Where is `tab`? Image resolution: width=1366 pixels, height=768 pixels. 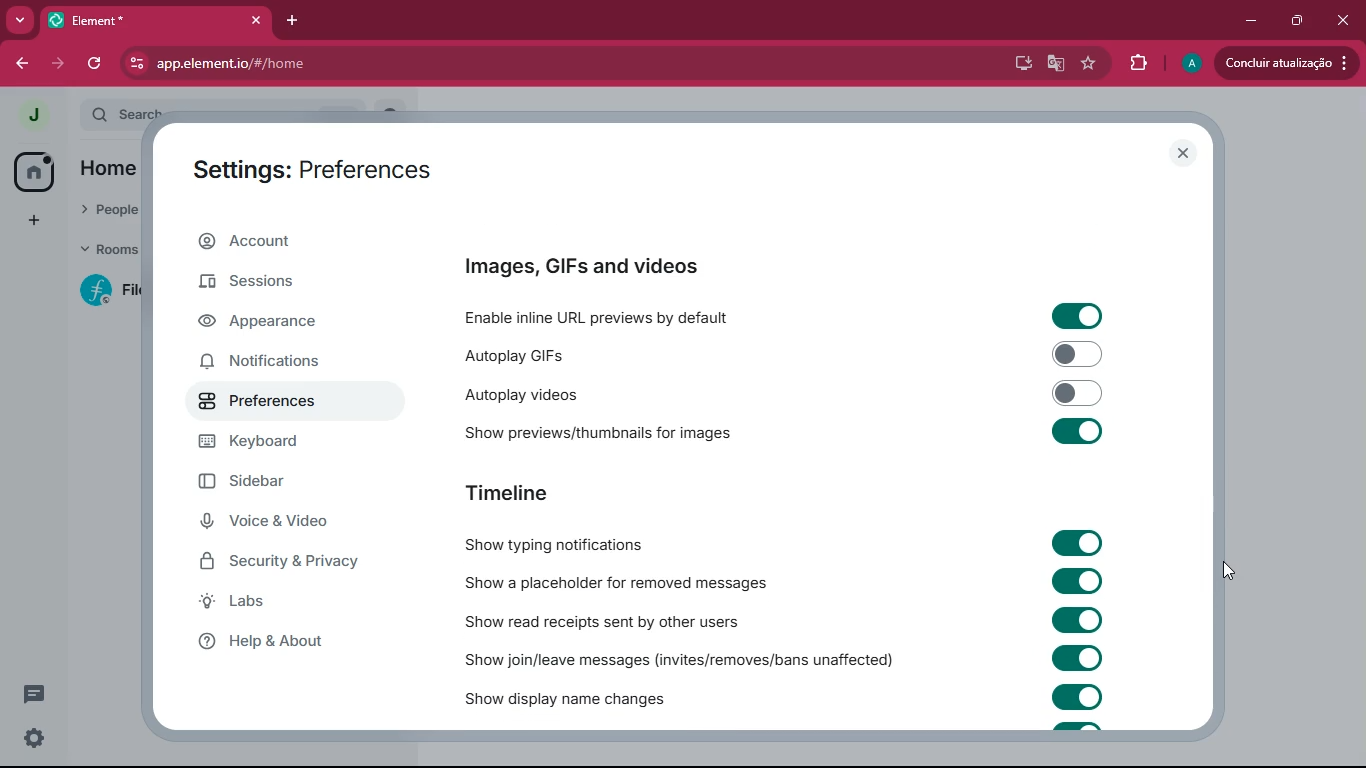
tab is located at coordinates (128, 20).